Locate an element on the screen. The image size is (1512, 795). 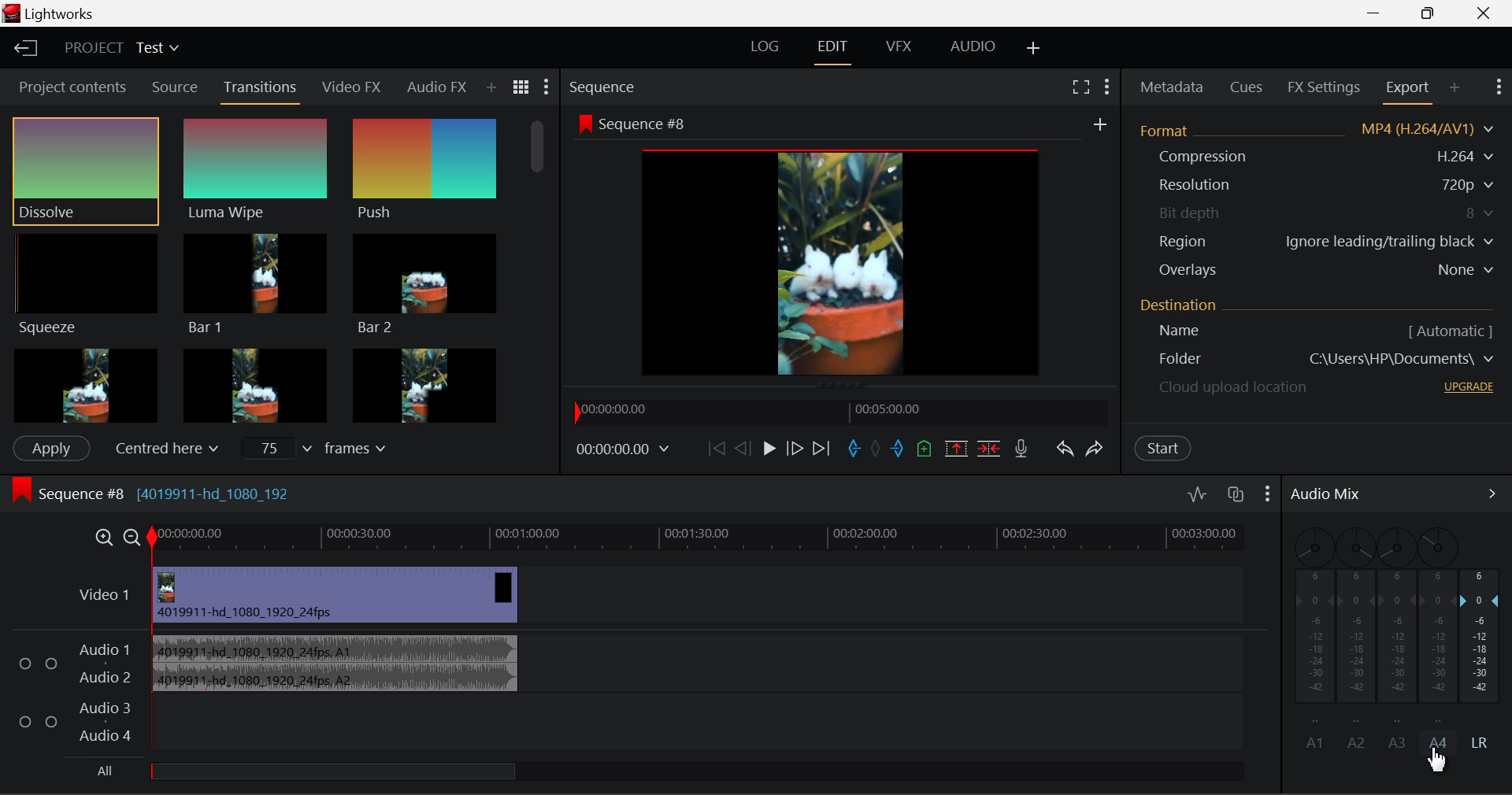
Delete/Cut is located at coordinates (991, 447).